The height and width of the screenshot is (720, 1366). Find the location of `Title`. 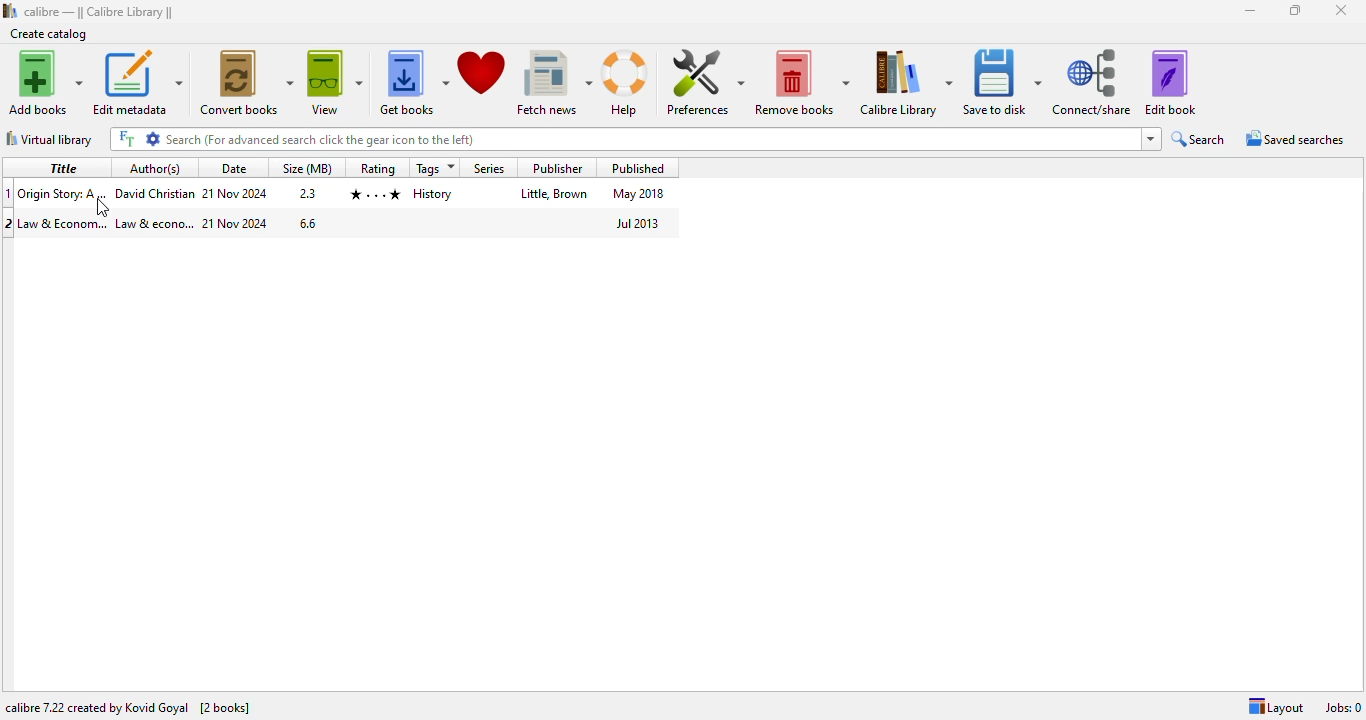

Title is located at coordinates (64, 192).